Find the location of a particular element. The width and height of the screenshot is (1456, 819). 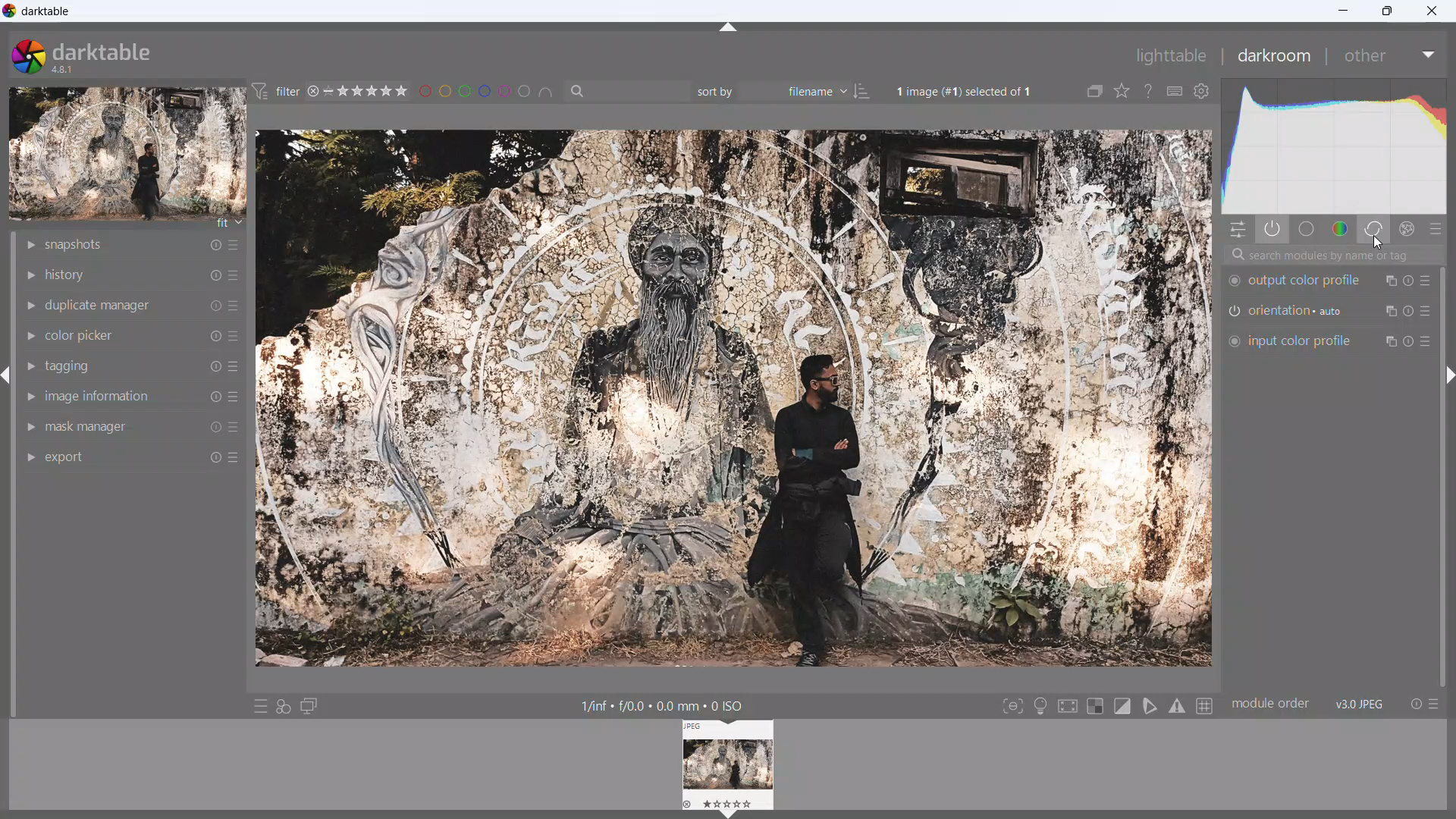

input color profile is located at coordinates (1301, 341).